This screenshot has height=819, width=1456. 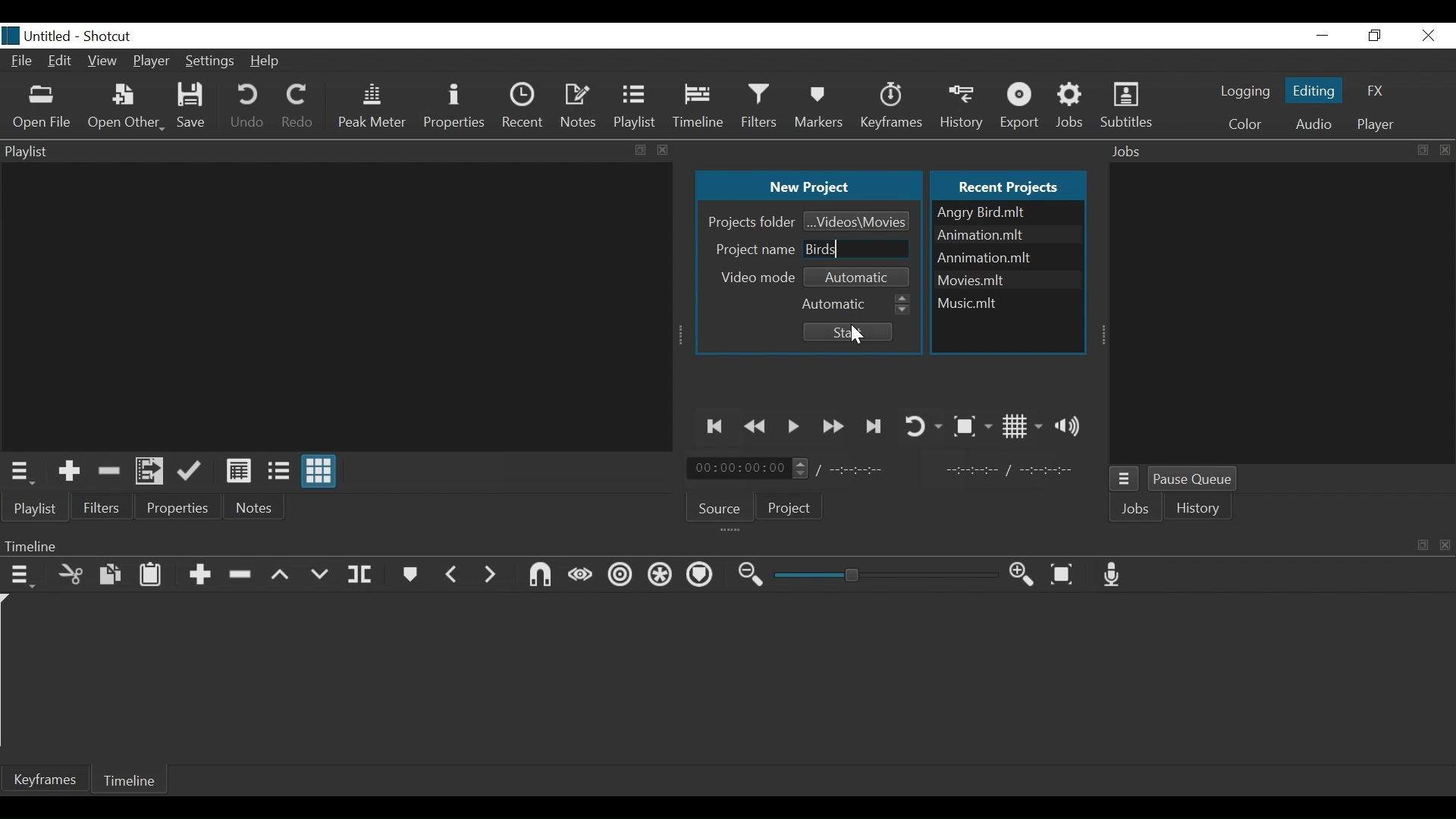 I want to click on Start, so click(x=845, y=332).